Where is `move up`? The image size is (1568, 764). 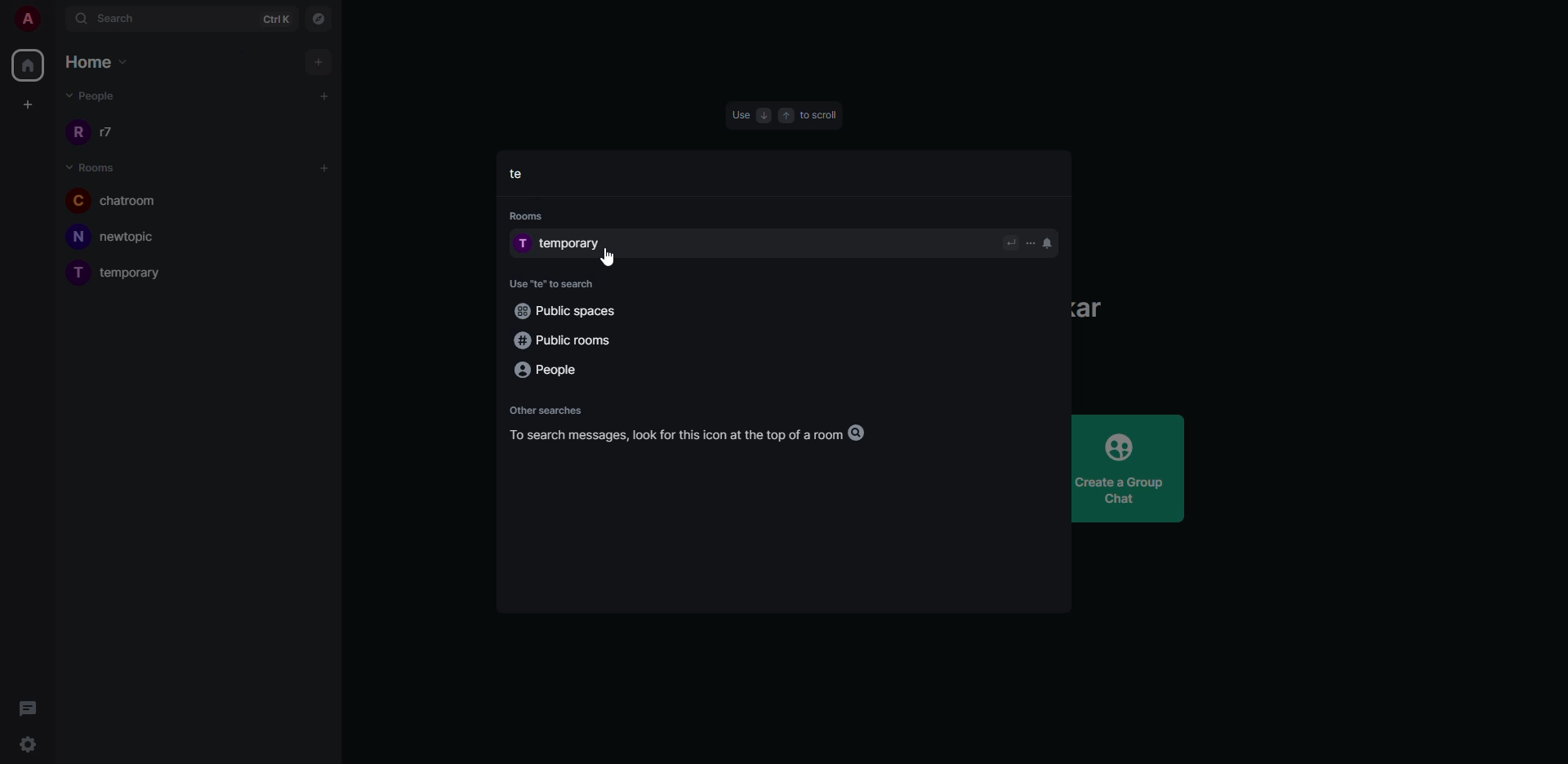
move up is located at coordinates (785, 116).